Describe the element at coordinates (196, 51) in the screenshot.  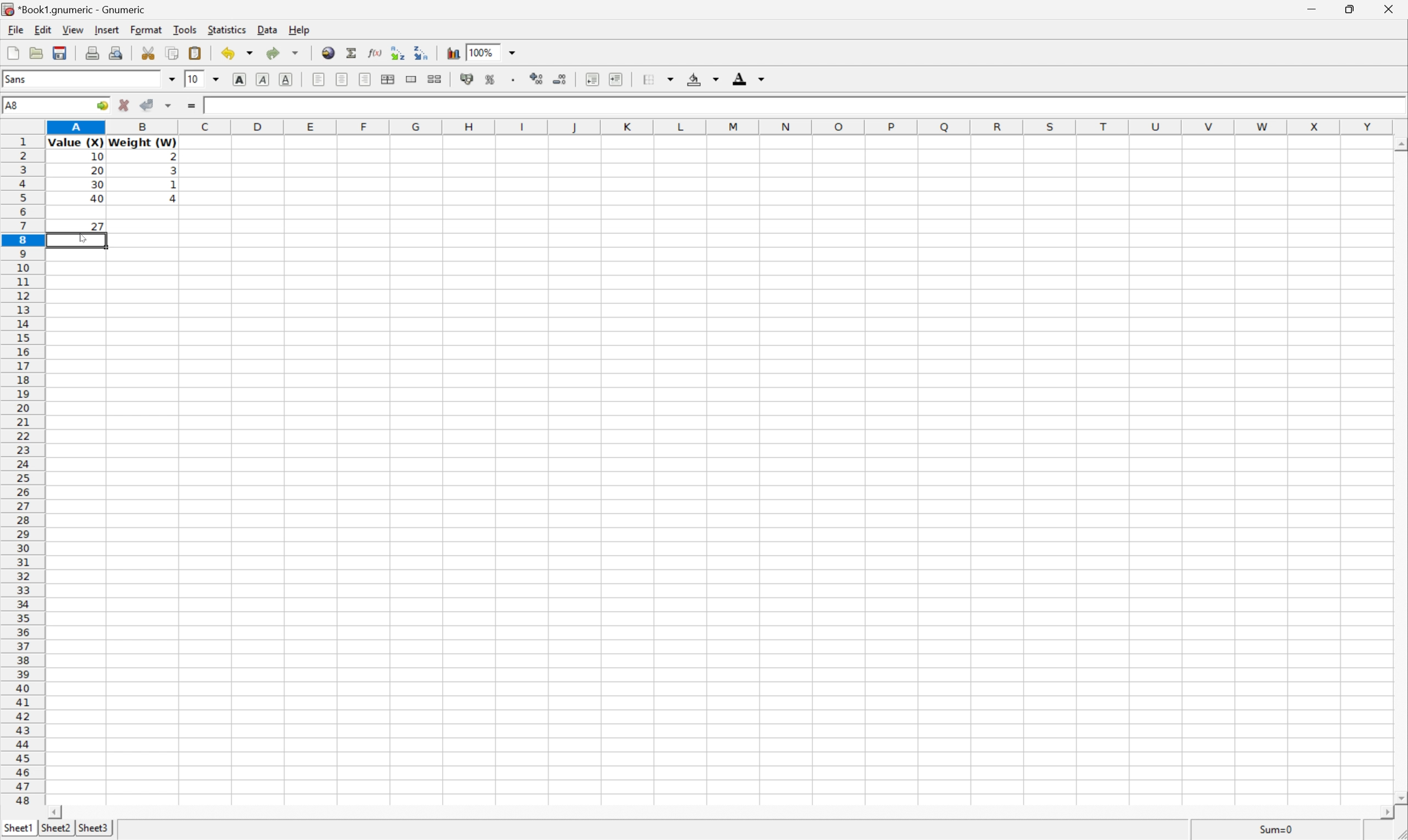
I see `Paste clipboard` at that location.